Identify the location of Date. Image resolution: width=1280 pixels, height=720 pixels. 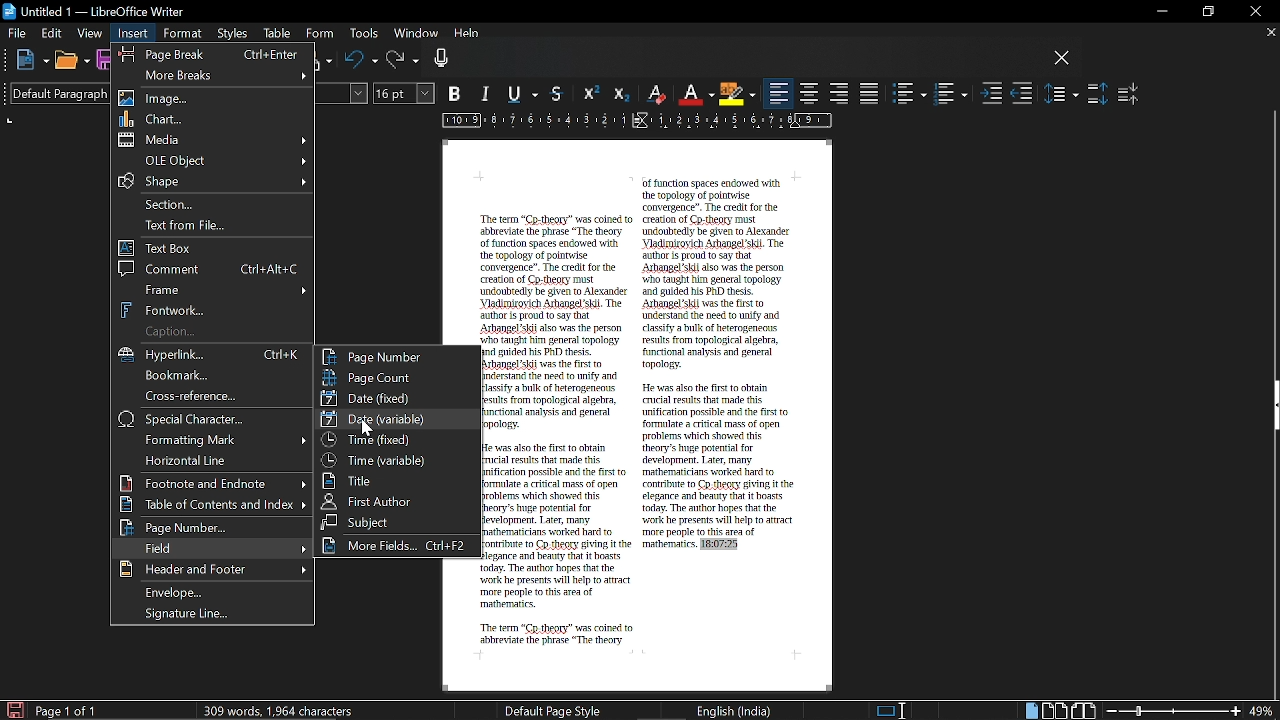
(394, 397).